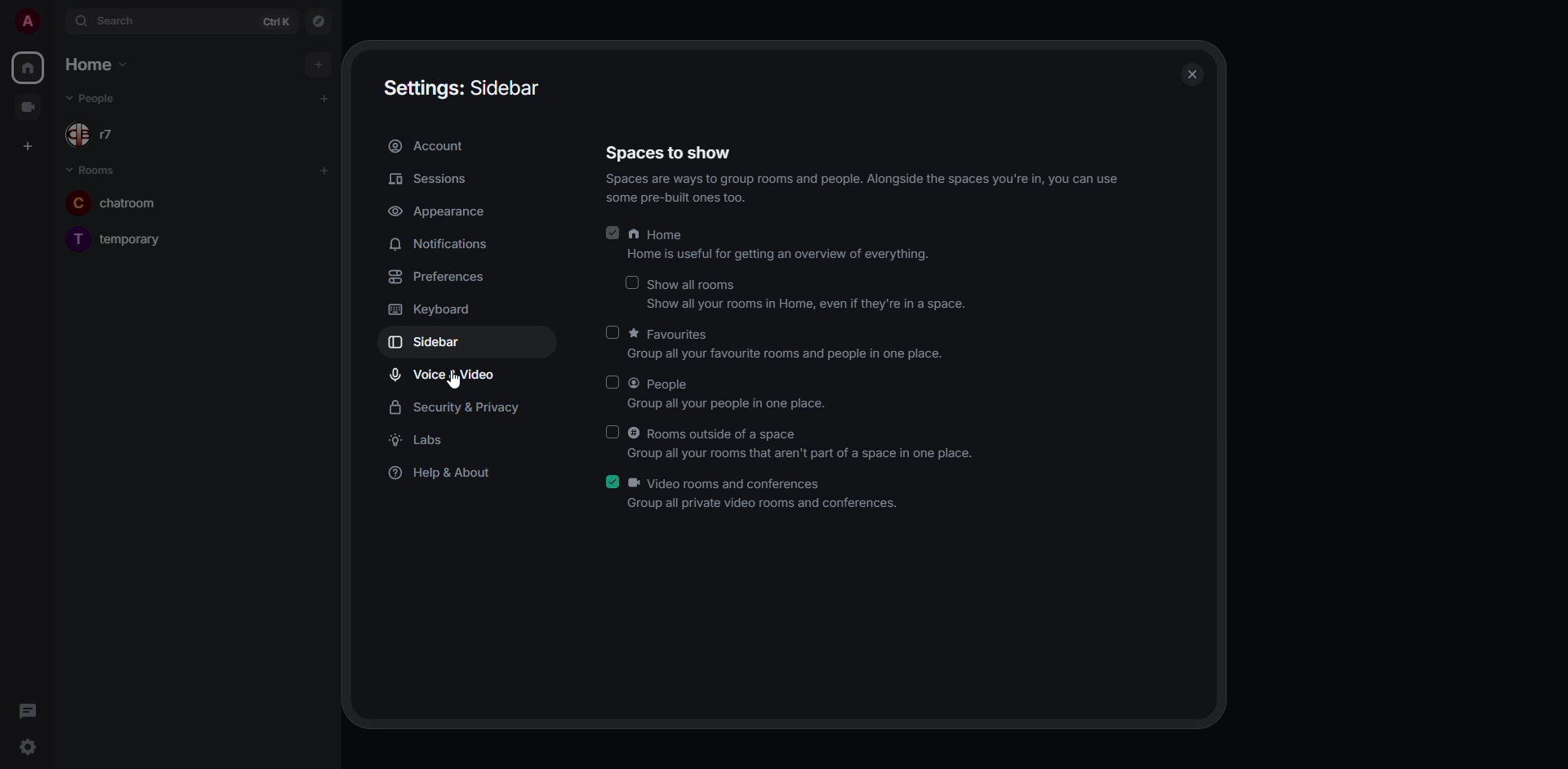 Image resolution: width=1568 pixels, height=769 pixels. What do you see at coordinates (439, 213) in the screenshot?
I see `appearance` at bounding box center [439, 213].